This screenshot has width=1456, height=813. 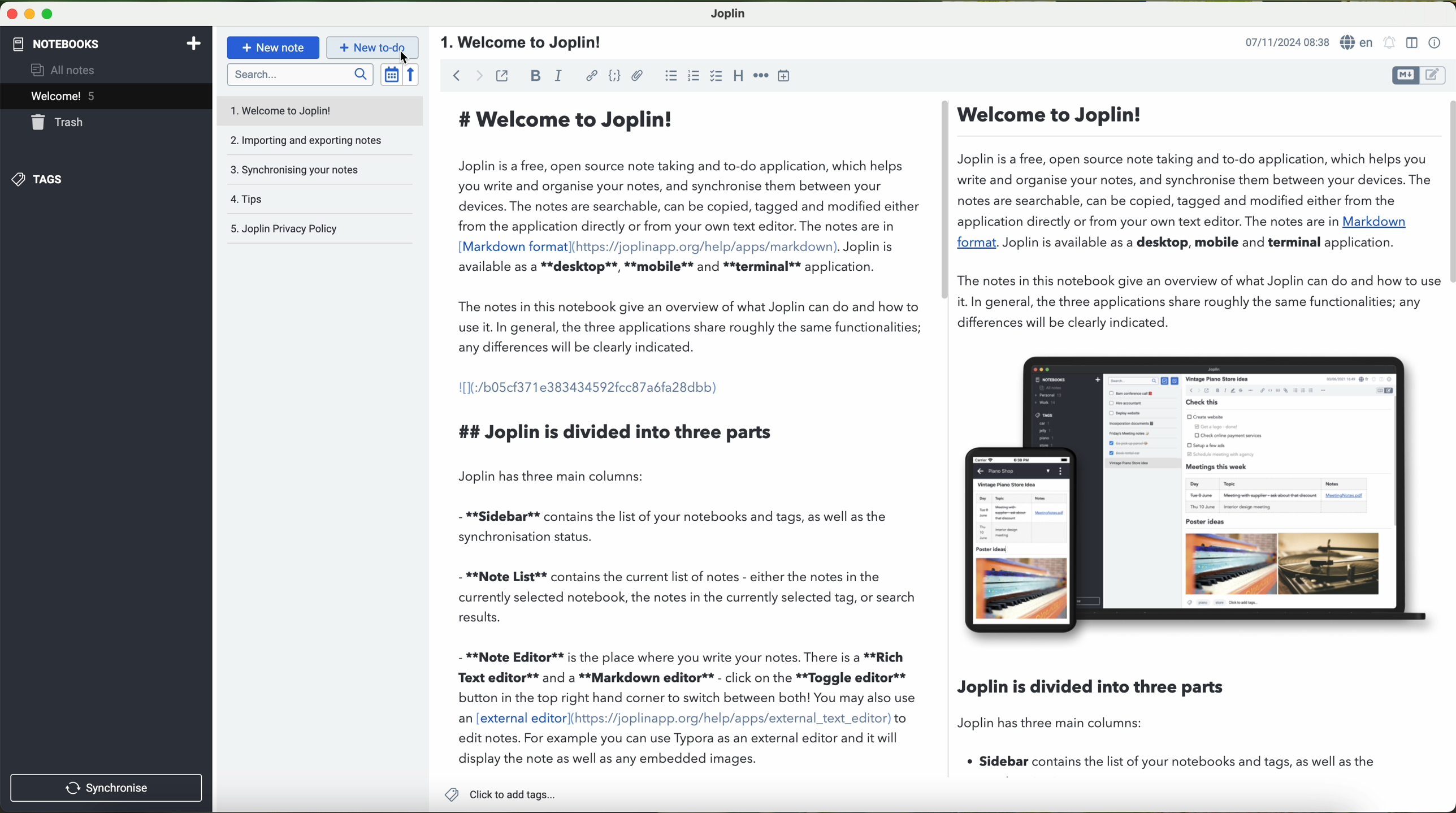 I want to click on workspace, so click(x=946, y=435).